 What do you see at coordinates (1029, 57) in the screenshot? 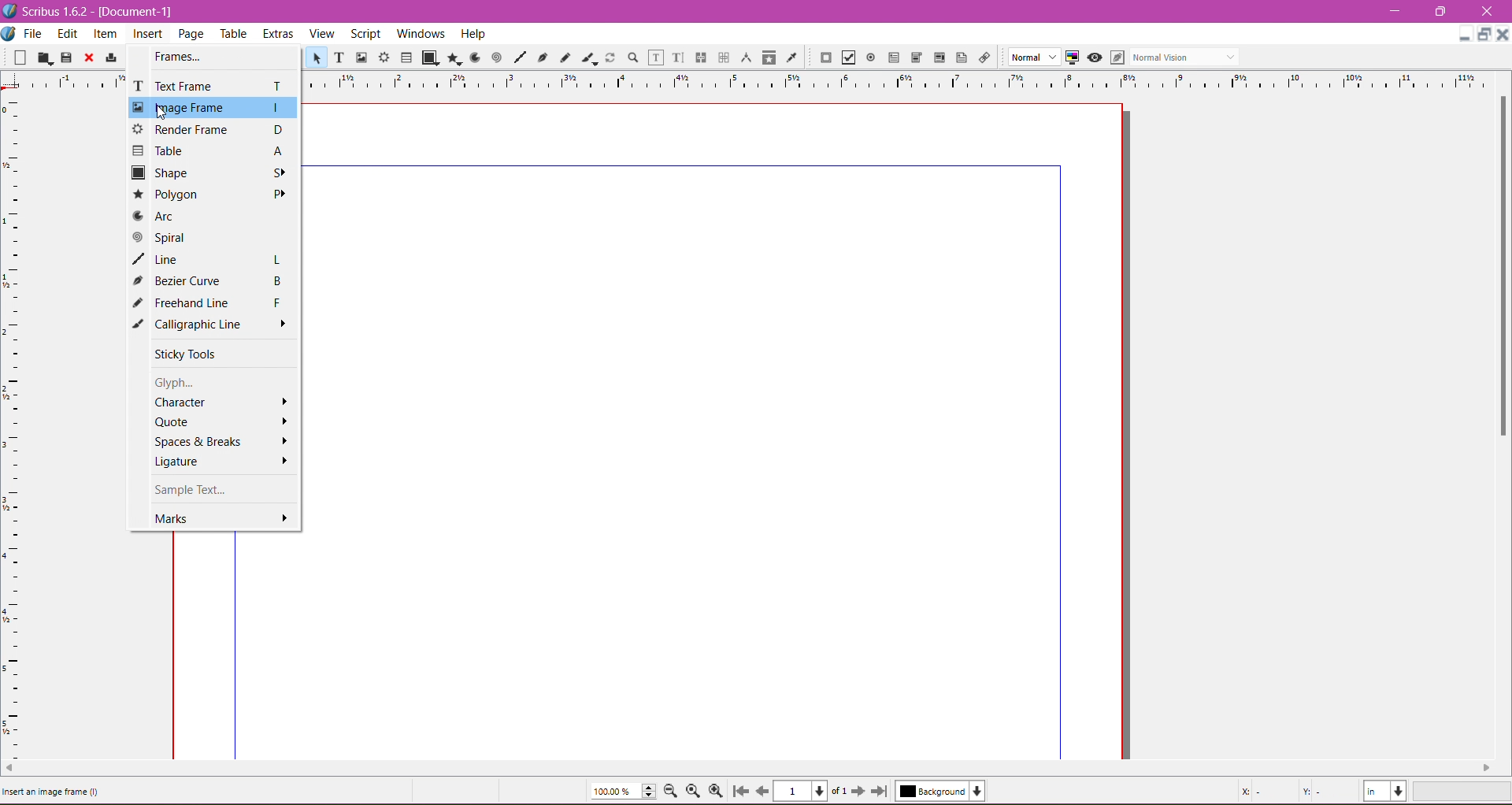
I see `Select the image preview quality` at bounding box center [1029, 57].